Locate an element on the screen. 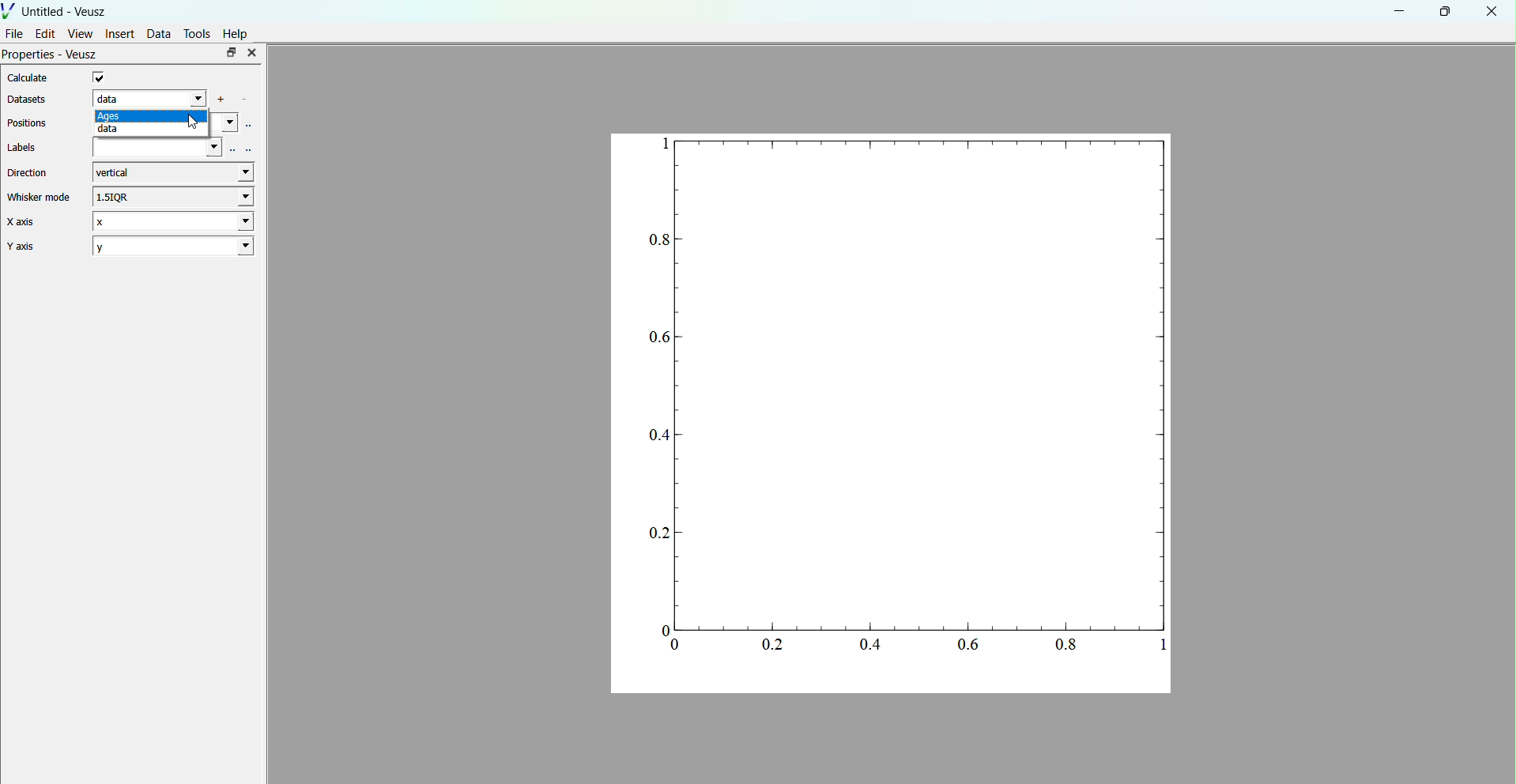  cursor is located at coordinates (194, 122).